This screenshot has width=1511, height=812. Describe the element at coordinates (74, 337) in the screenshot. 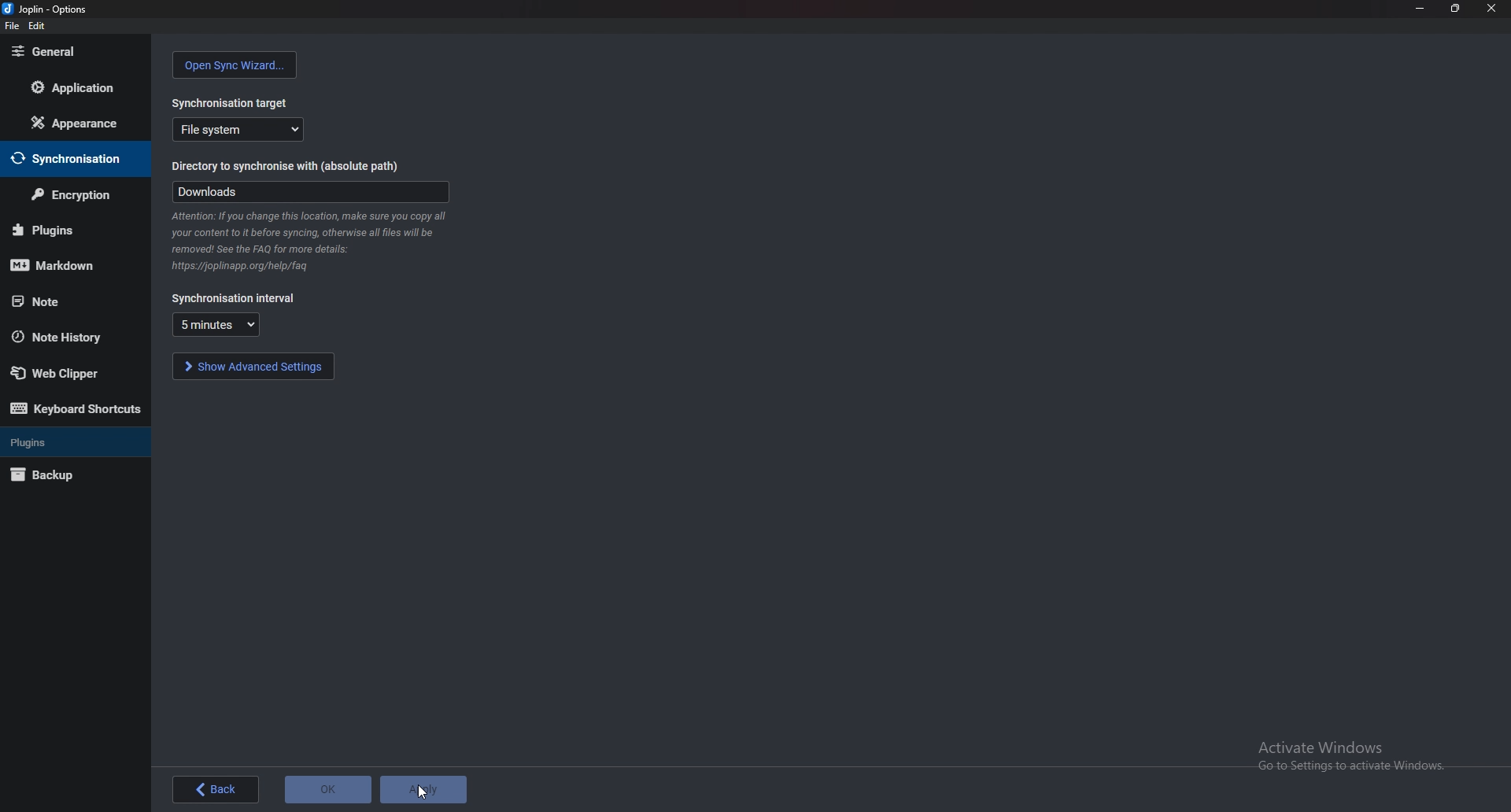

I see `Note history` at that location.